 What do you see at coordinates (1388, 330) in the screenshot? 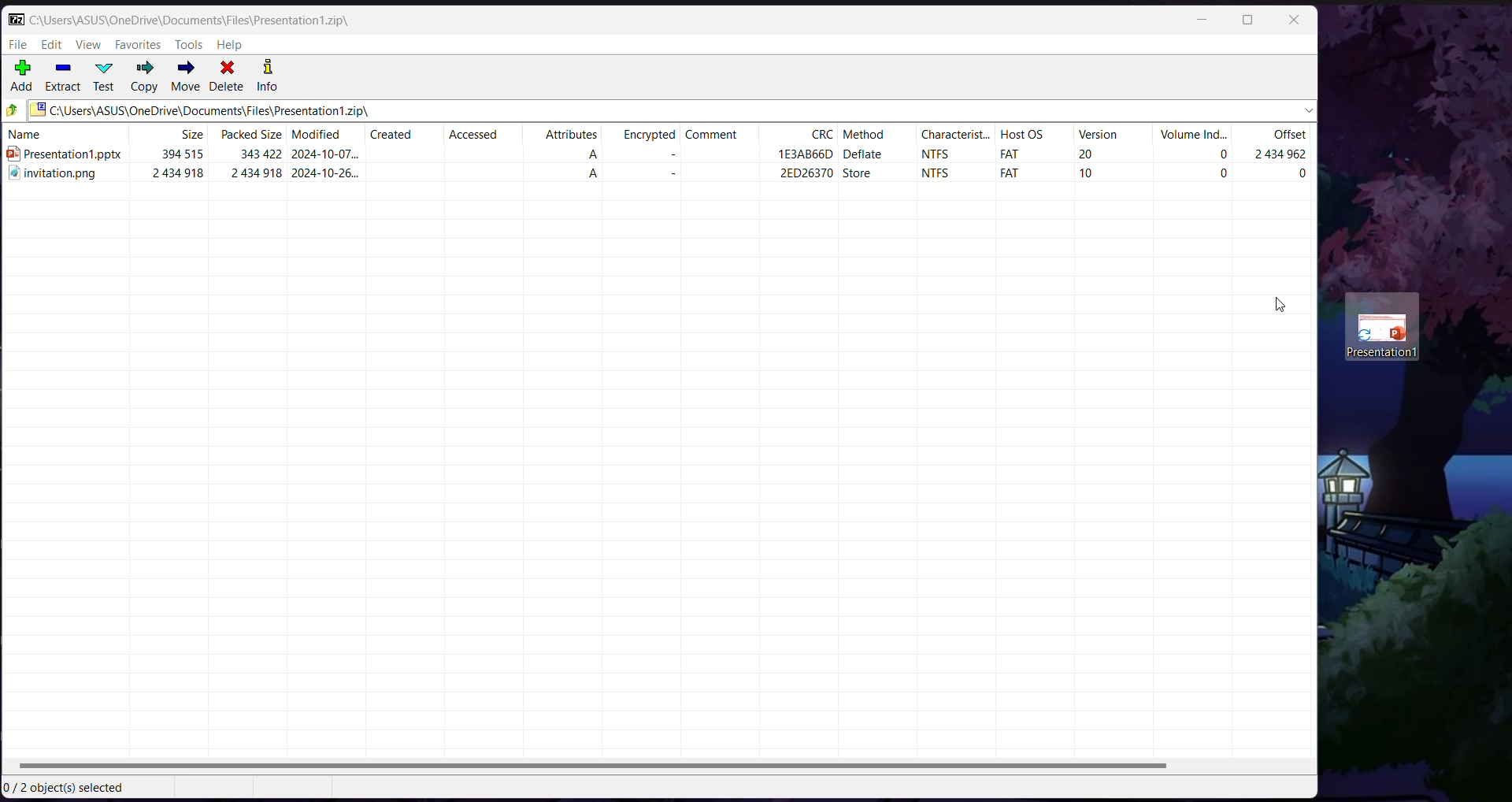
I see `Presentation` at bounding box center [1388, 330].